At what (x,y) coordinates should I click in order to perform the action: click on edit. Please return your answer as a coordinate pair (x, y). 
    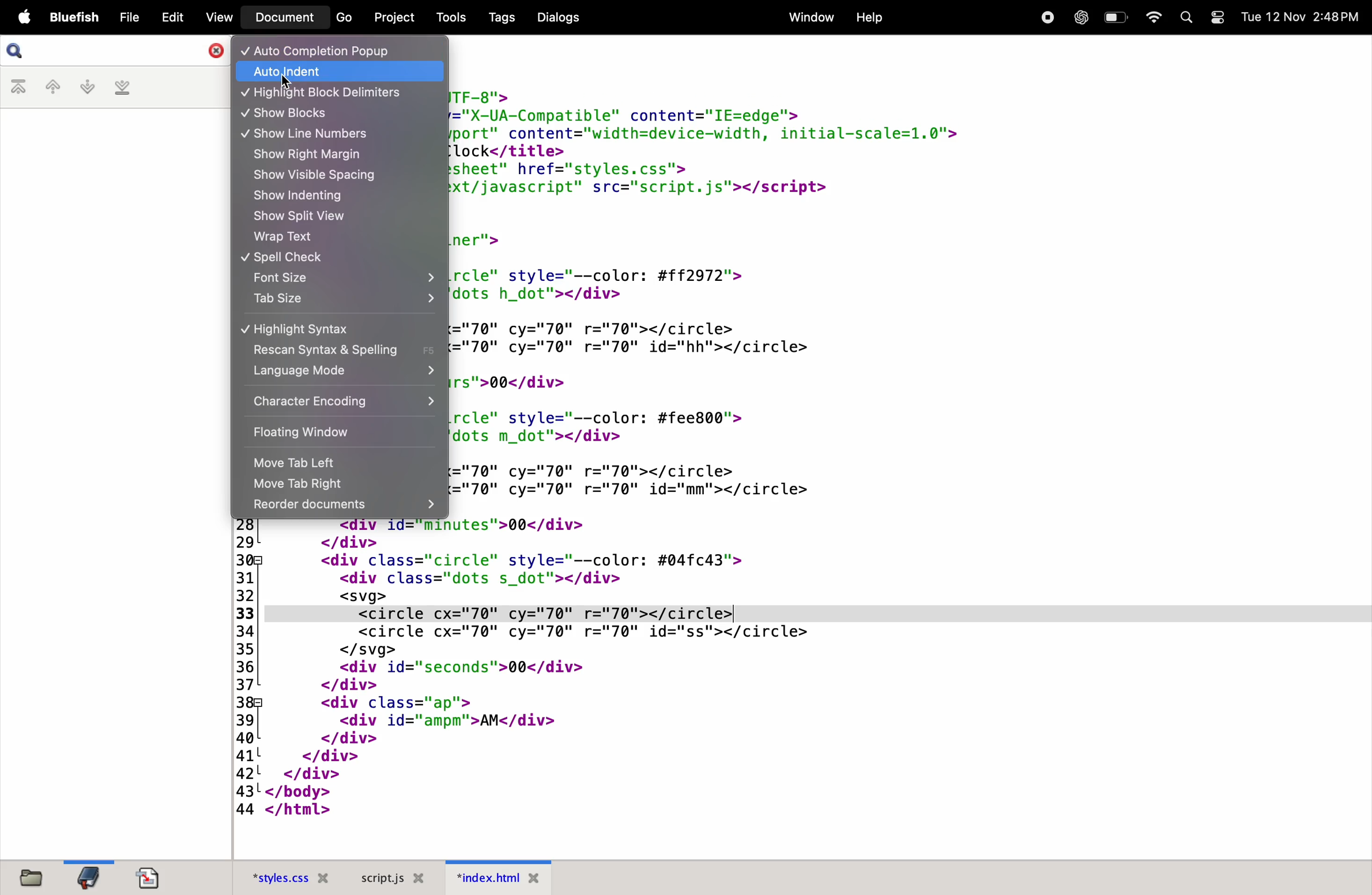
    Looking at the image, I should click on (172, 16).